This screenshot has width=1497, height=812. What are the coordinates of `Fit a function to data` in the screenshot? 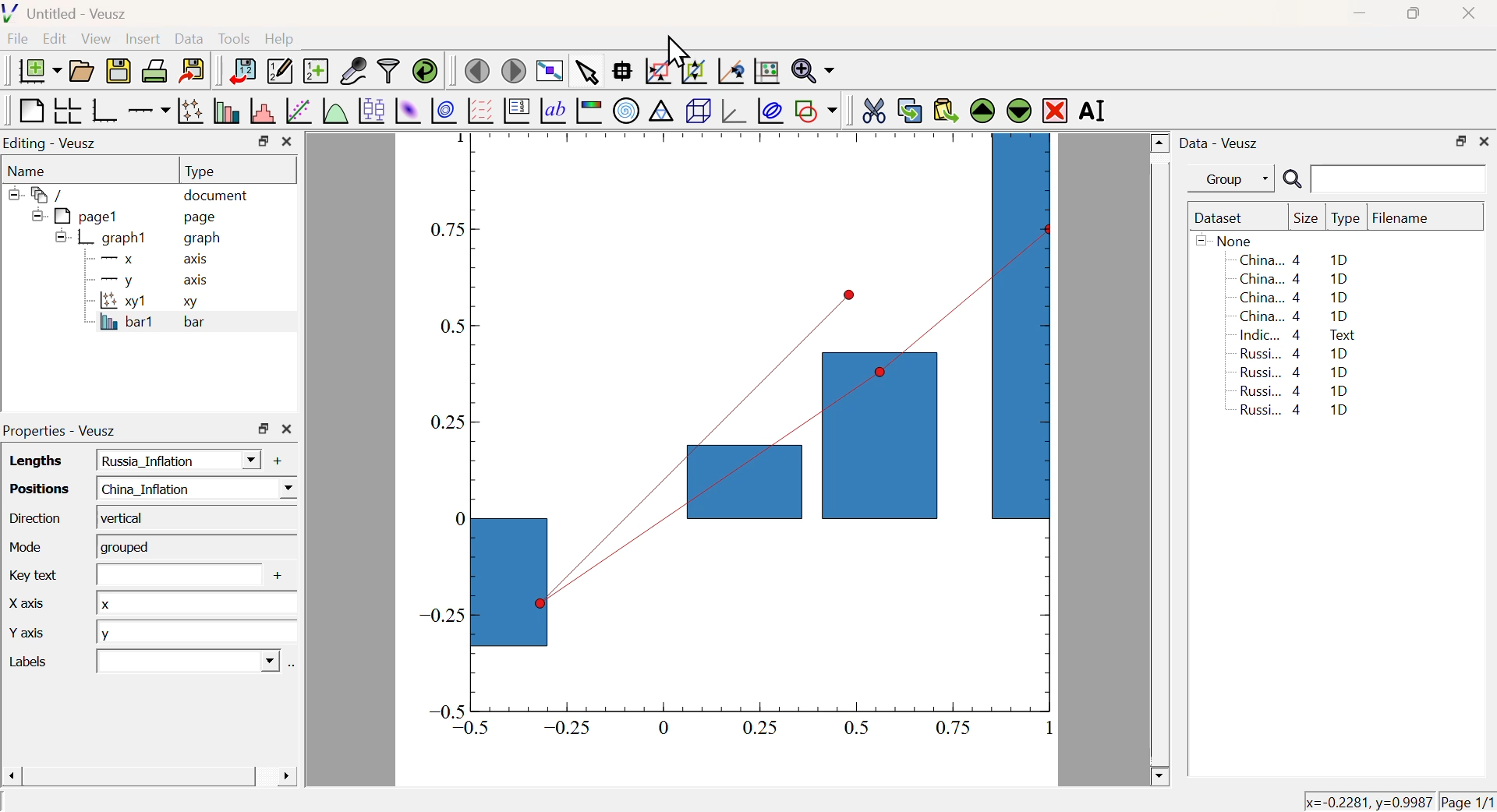 It's located at (299, 112).